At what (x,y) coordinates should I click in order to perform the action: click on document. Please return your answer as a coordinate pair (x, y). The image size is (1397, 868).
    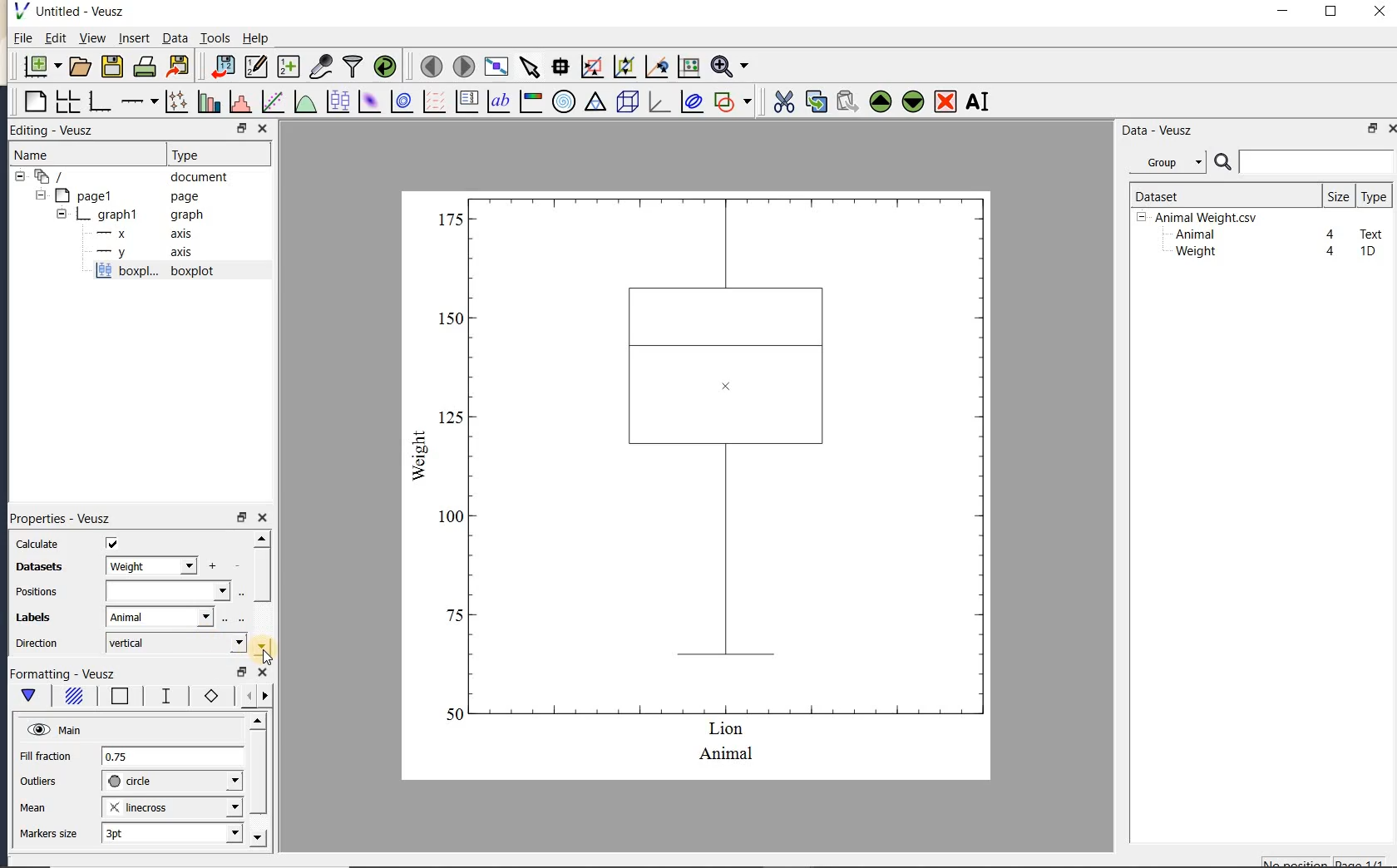
    Looking at the image, I should click on (126, 177).